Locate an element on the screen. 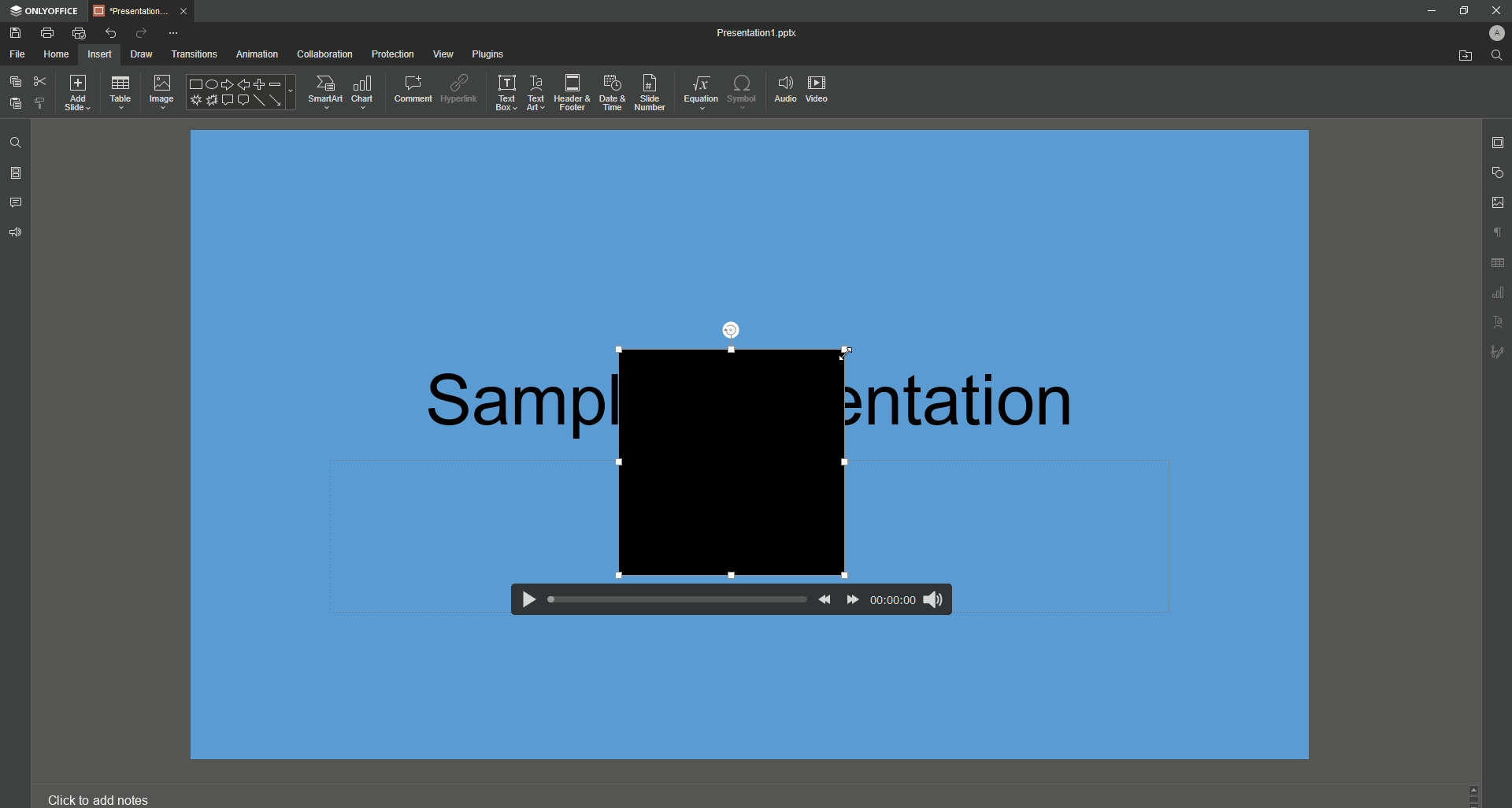  Minimize is located at coordinates (1431, 10).